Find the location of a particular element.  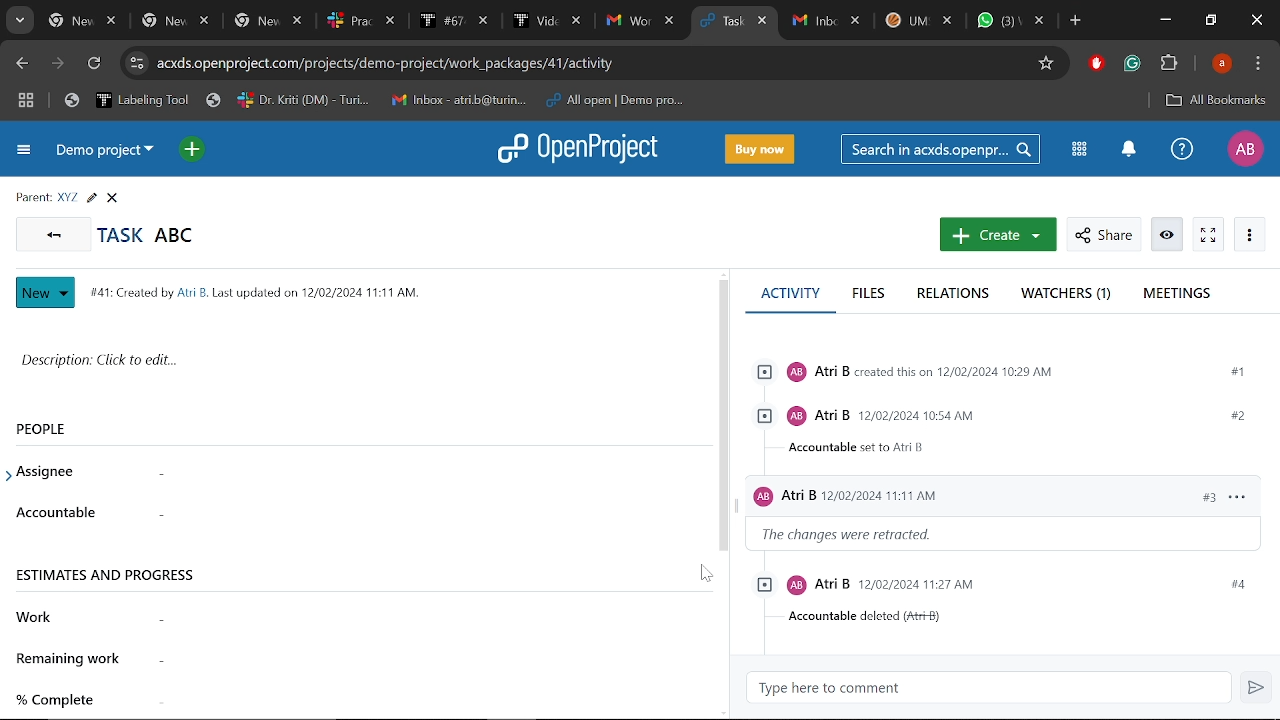

Relations is located at coordinates (956, 294).